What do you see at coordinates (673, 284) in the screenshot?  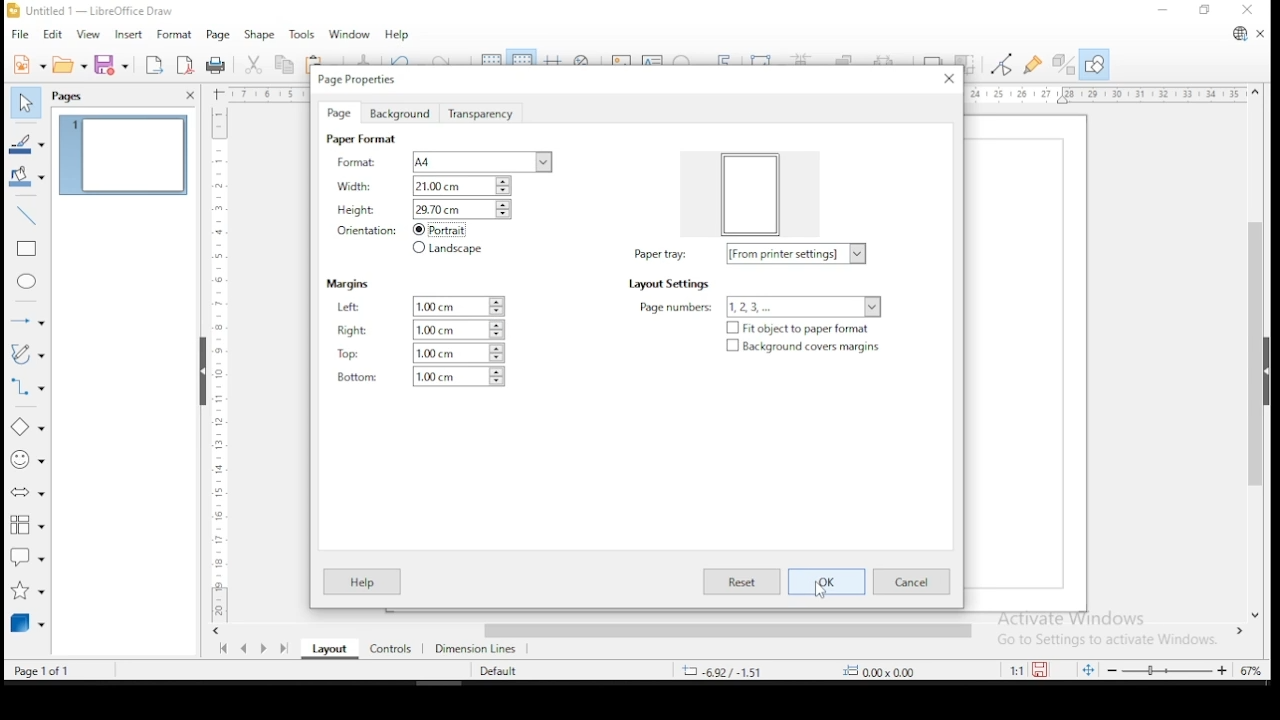 I see `layout settings` at bounding box center [673, 284].